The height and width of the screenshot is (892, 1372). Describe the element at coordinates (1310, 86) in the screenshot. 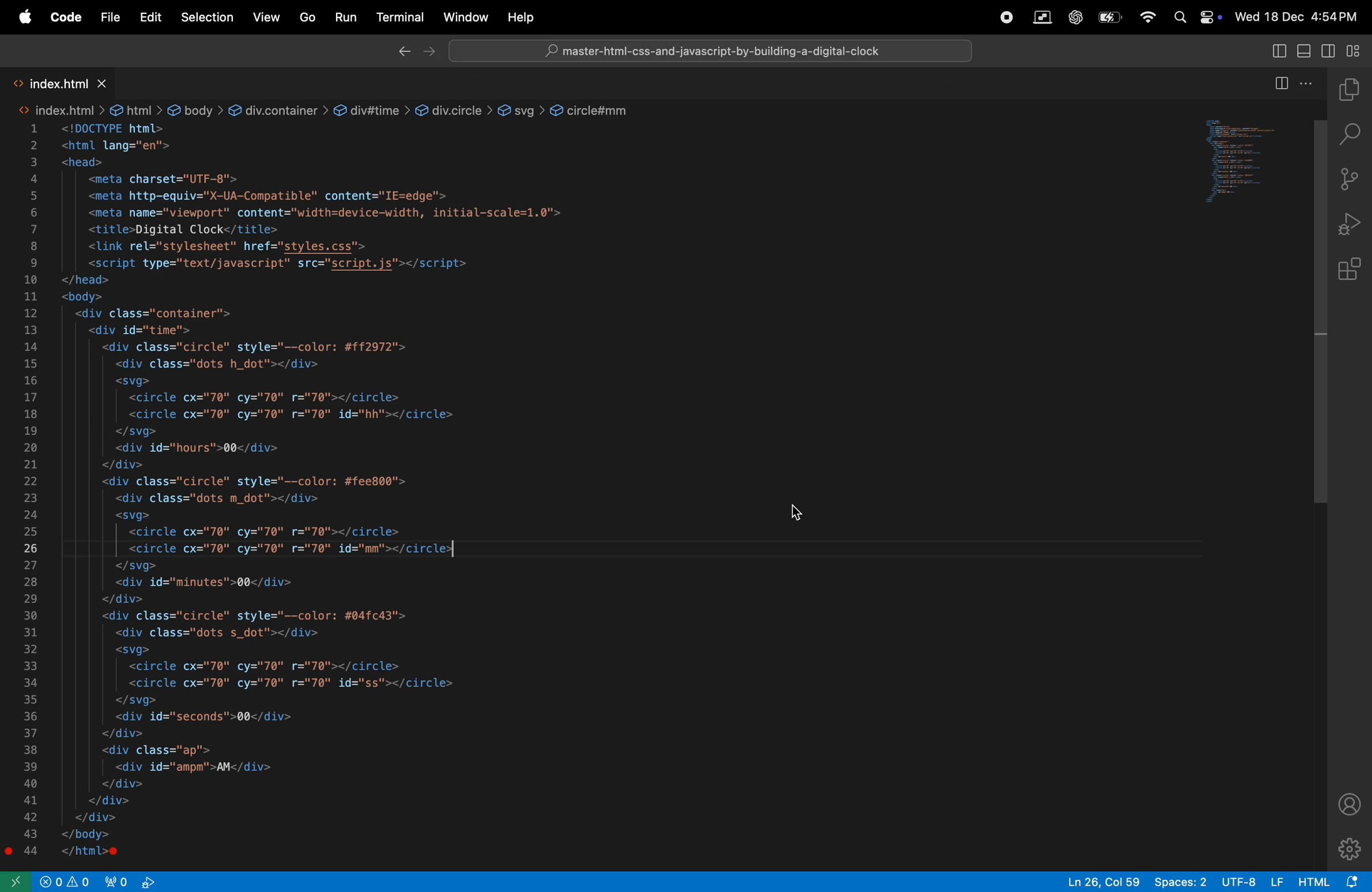

I see `options` at that location.